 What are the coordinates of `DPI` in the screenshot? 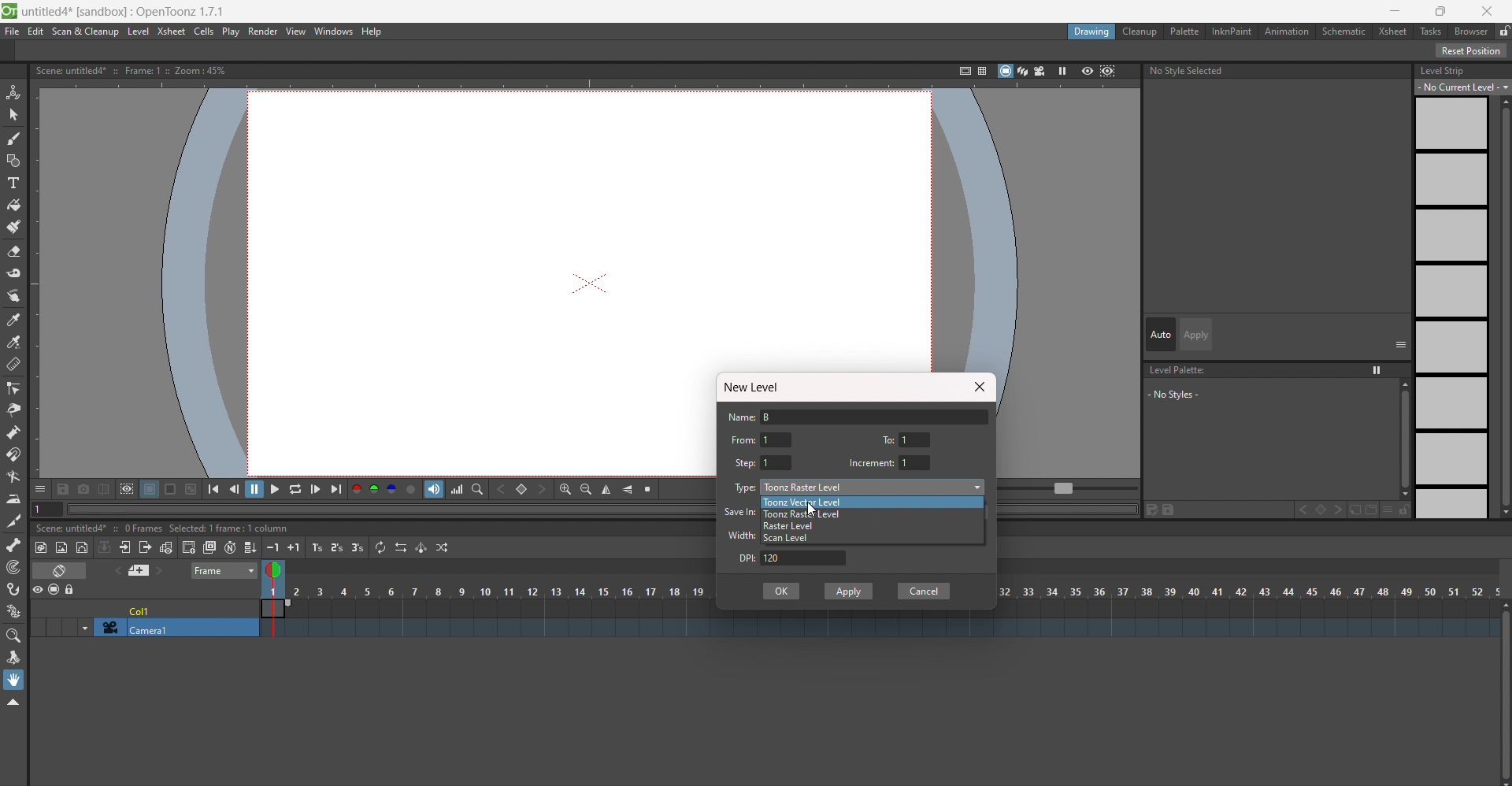 It's located at (741, 558).